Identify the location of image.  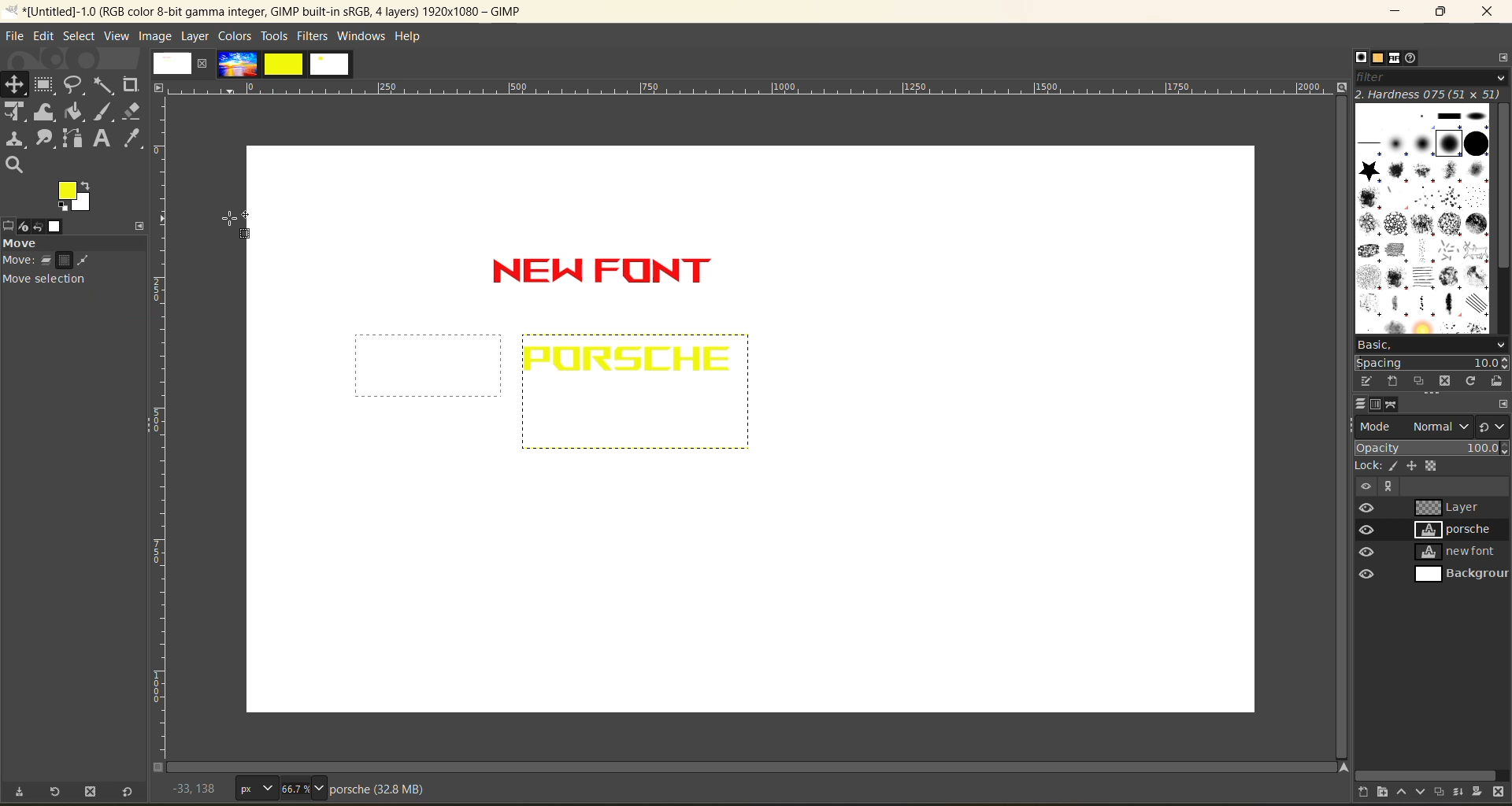
(55, 227).